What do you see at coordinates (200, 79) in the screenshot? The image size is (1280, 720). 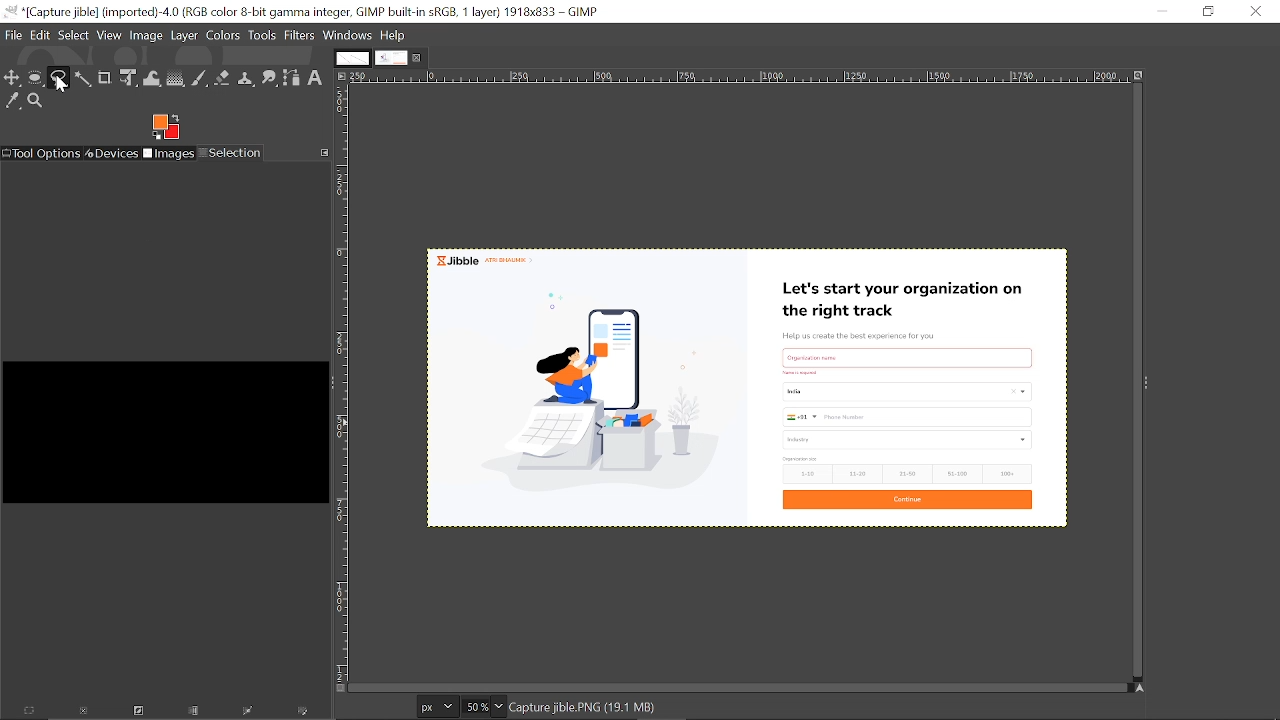 I see `Paintbrush tool` at bounding box center [200, 79].